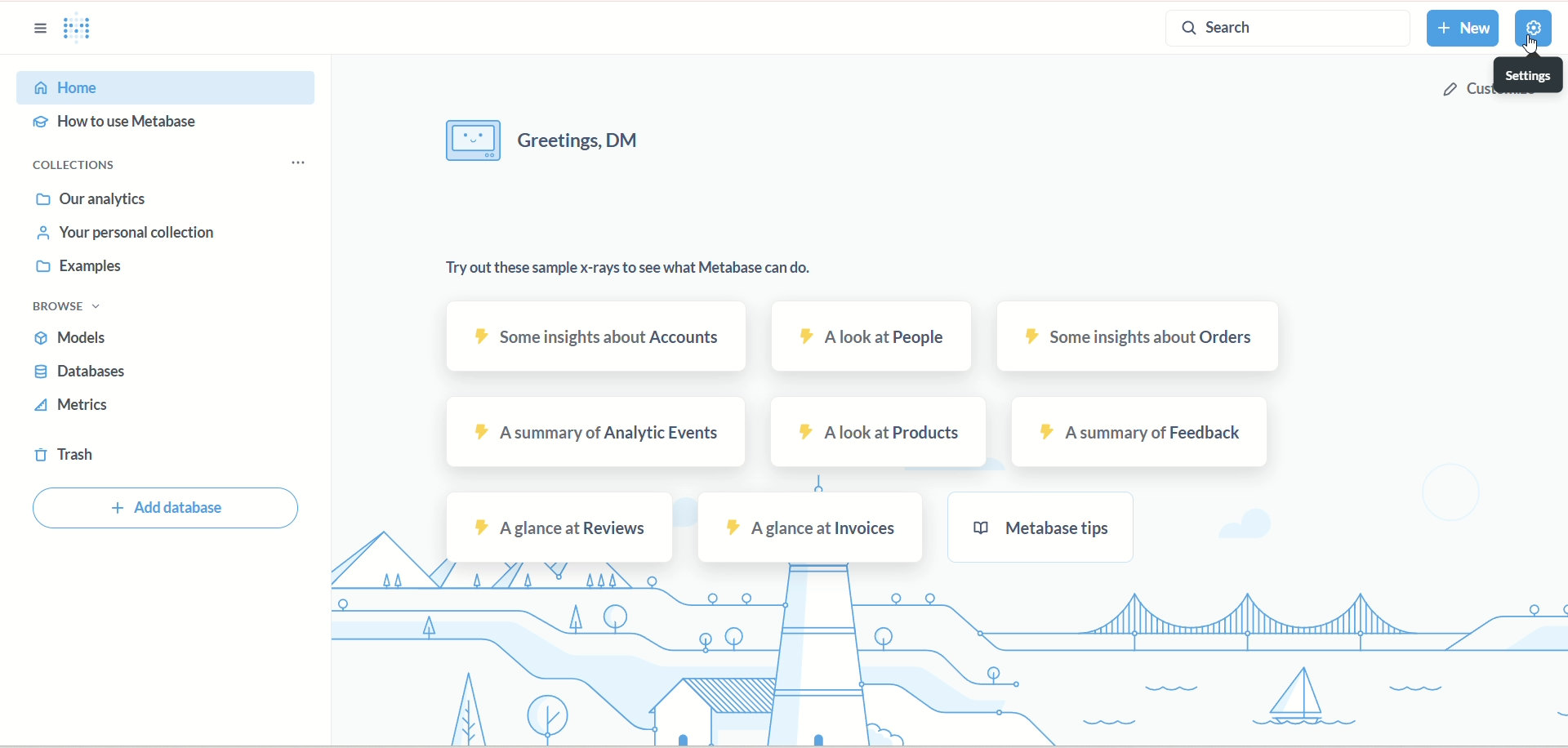  What do you see at coordinates (871, 337) in the screenshot?
I see `A look at People` at bounding box center [871, 337].